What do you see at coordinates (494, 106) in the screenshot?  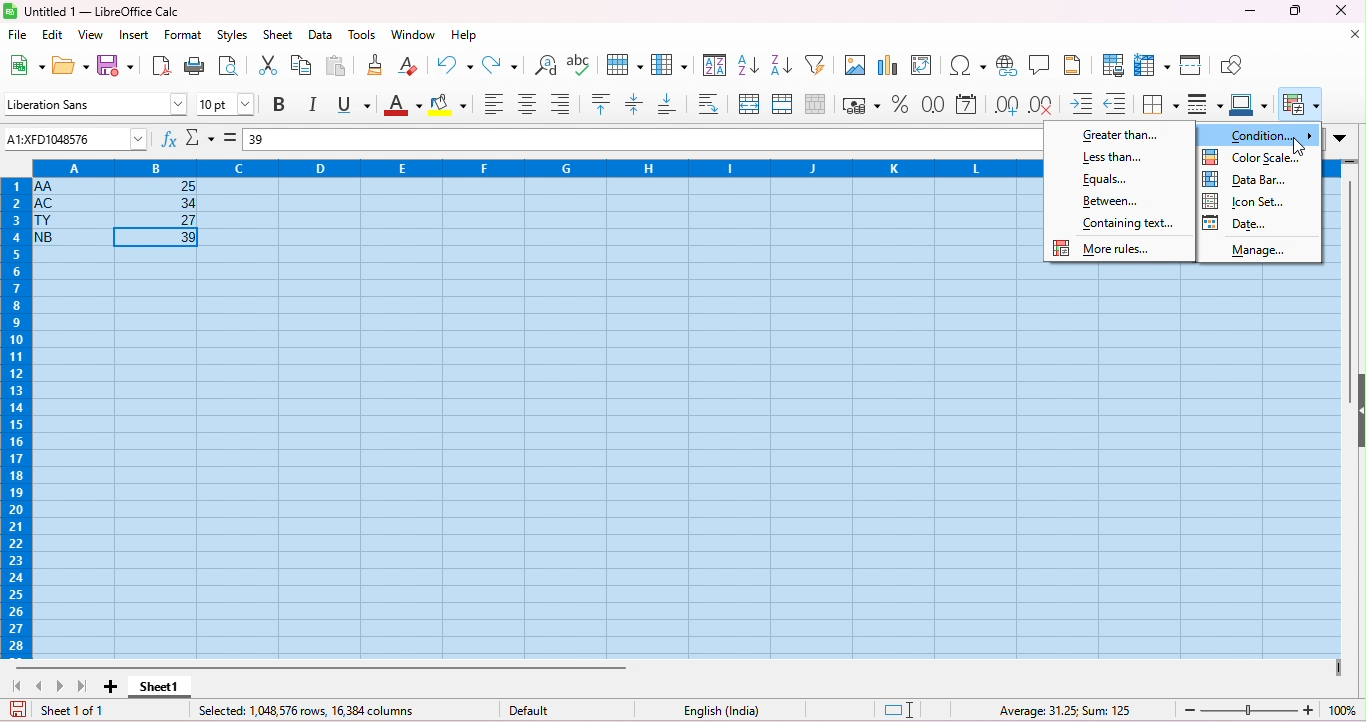 I see `align left` at bounding box center [494, 106].